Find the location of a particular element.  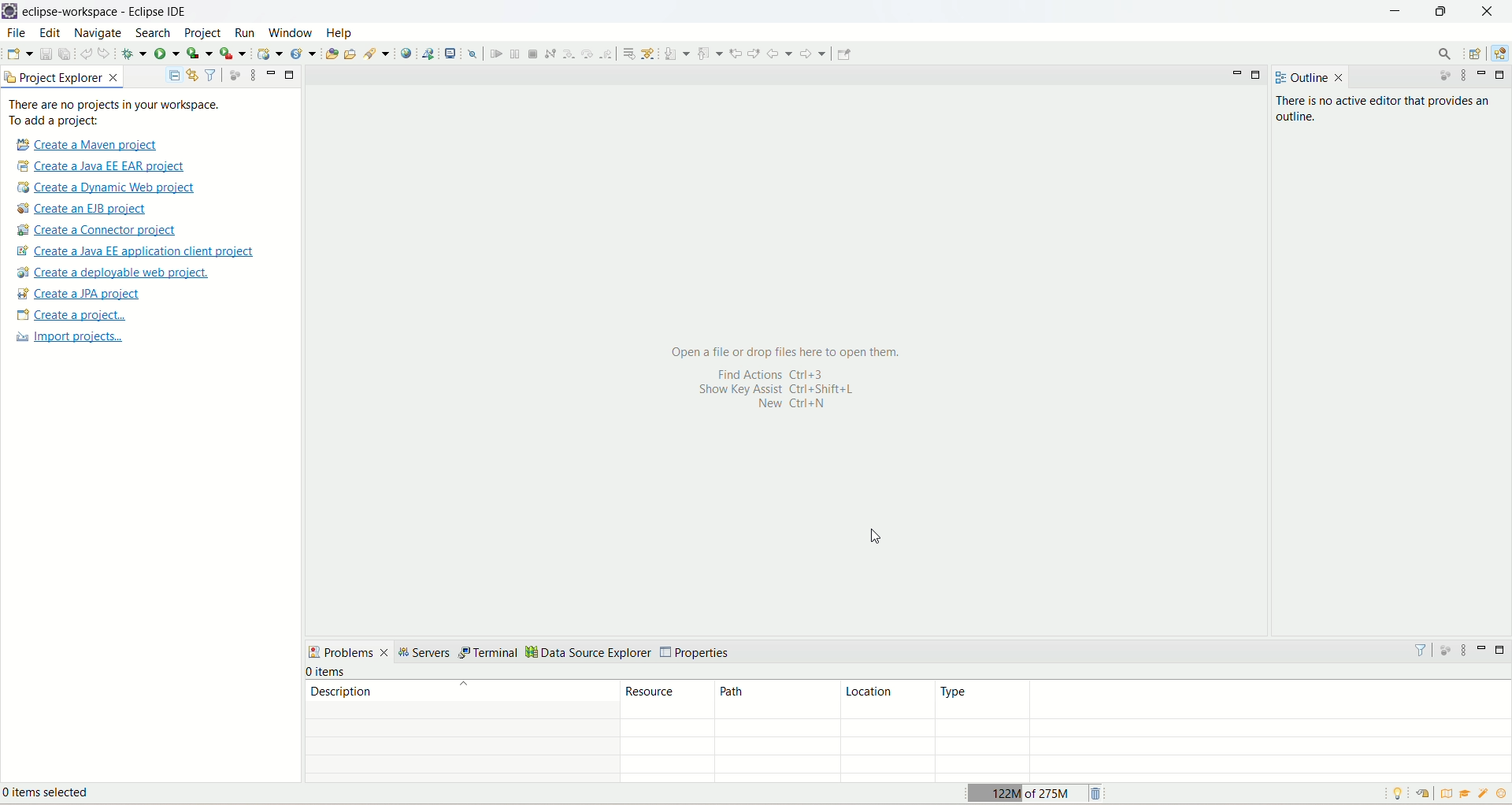

logo is located at coordinates (10, 12).